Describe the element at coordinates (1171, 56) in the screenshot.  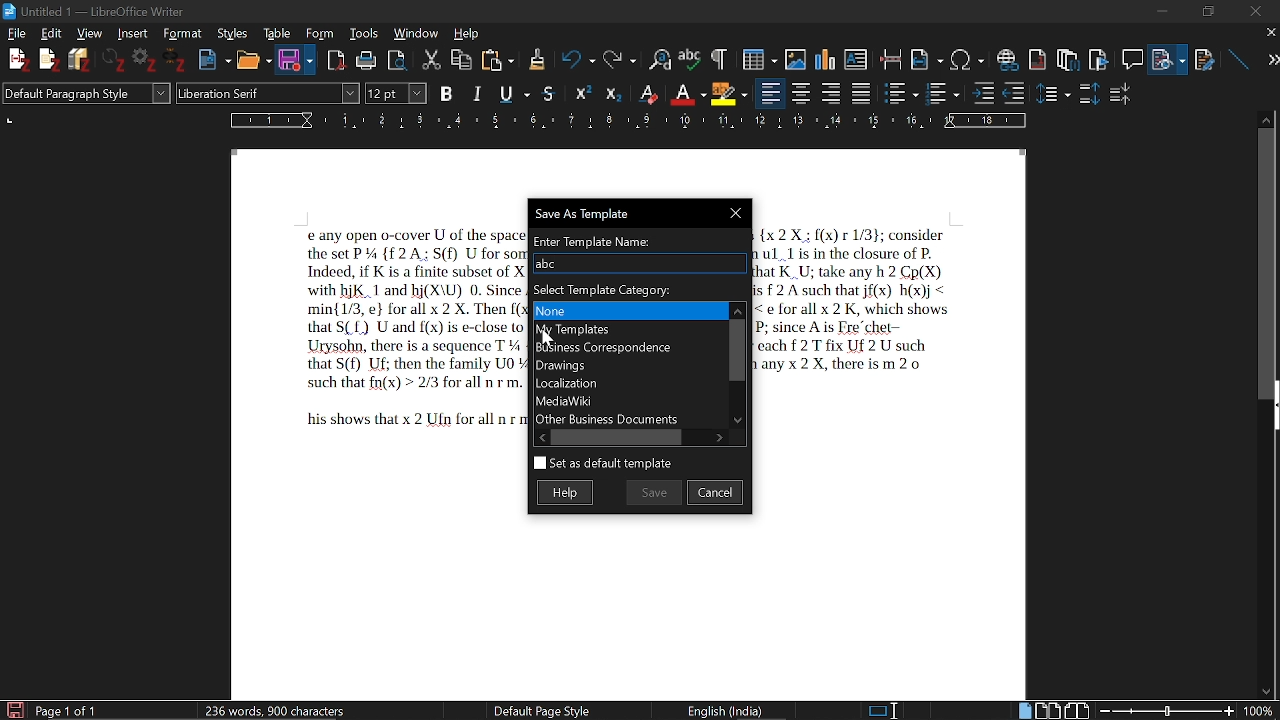
I see `File` at that location.